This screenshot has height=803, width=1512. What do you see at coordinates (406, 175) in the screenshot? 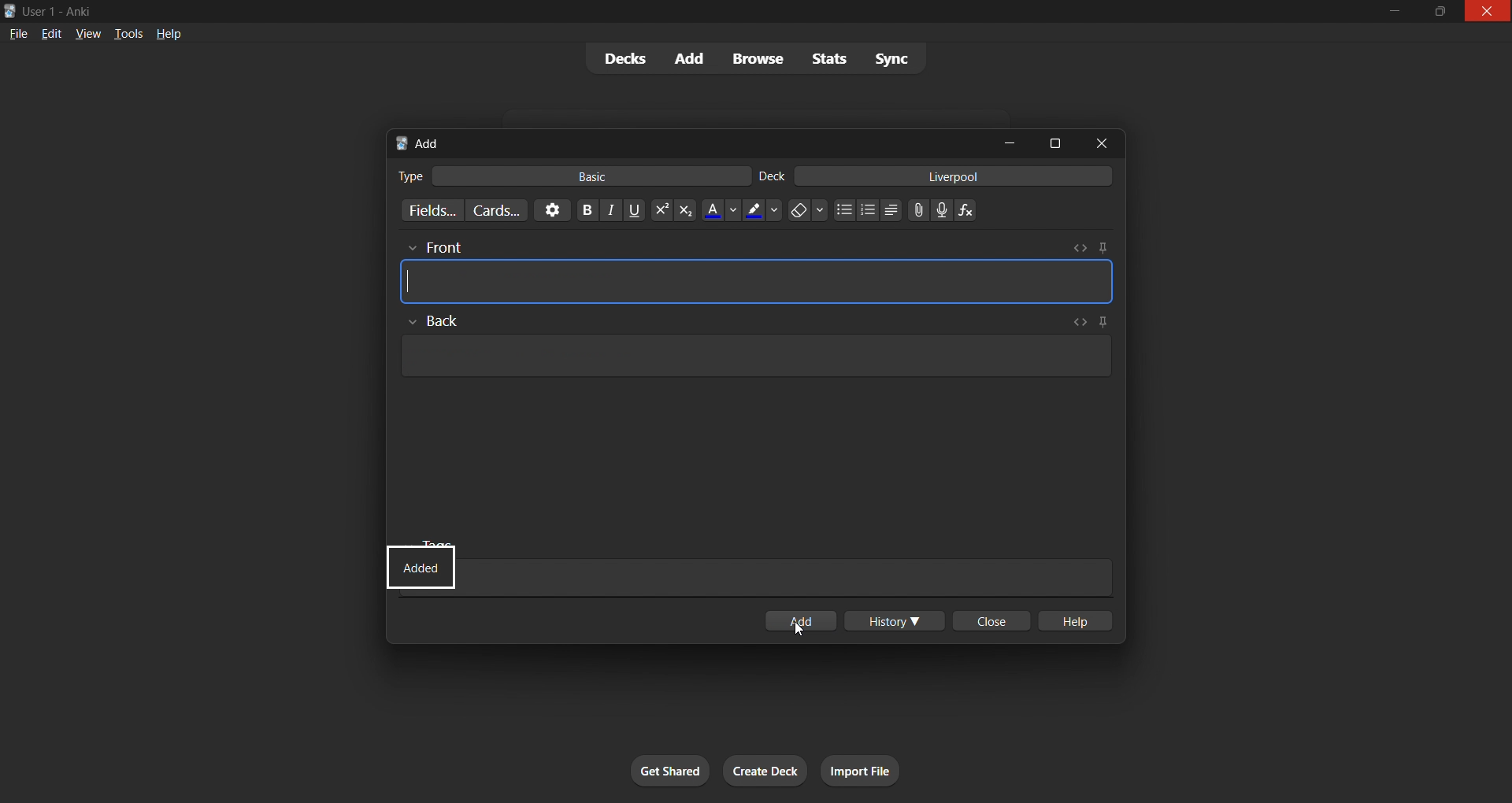
I see `card type ` at bounding box center [406, 175].